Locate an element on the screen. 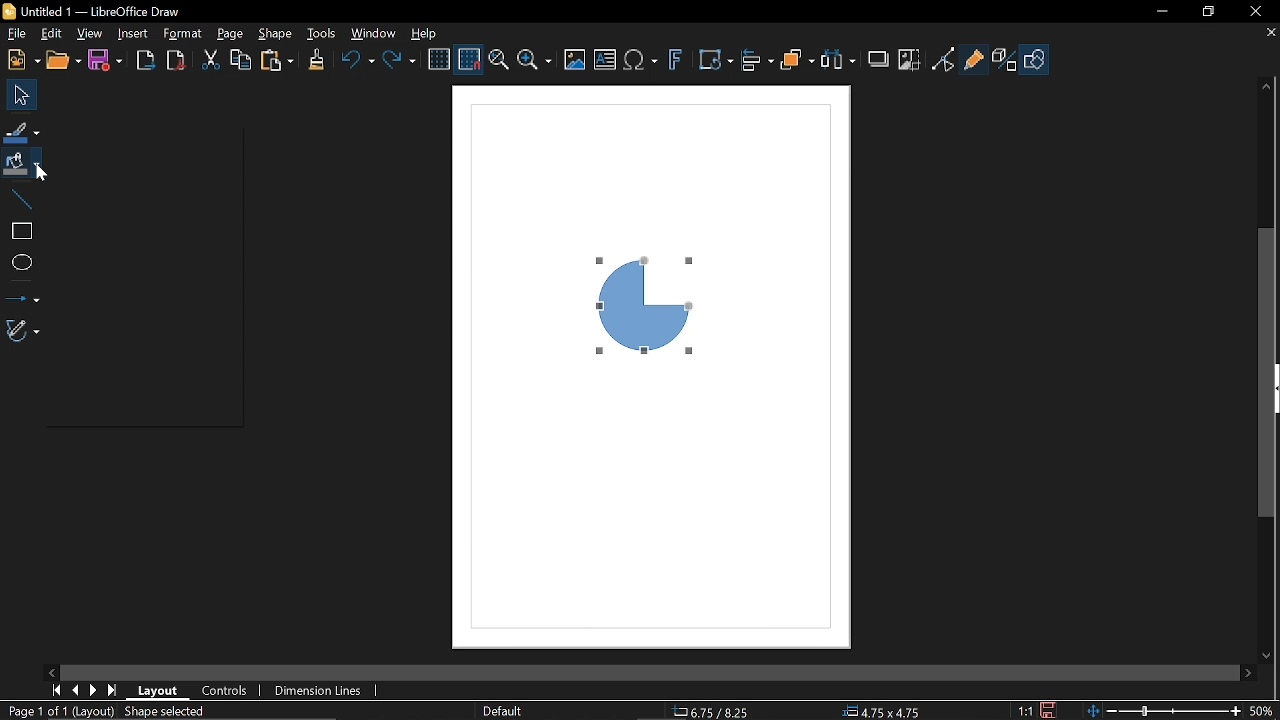 The width and height of the screenshot is (1280, 720). View is located at coordinates (90, 34).